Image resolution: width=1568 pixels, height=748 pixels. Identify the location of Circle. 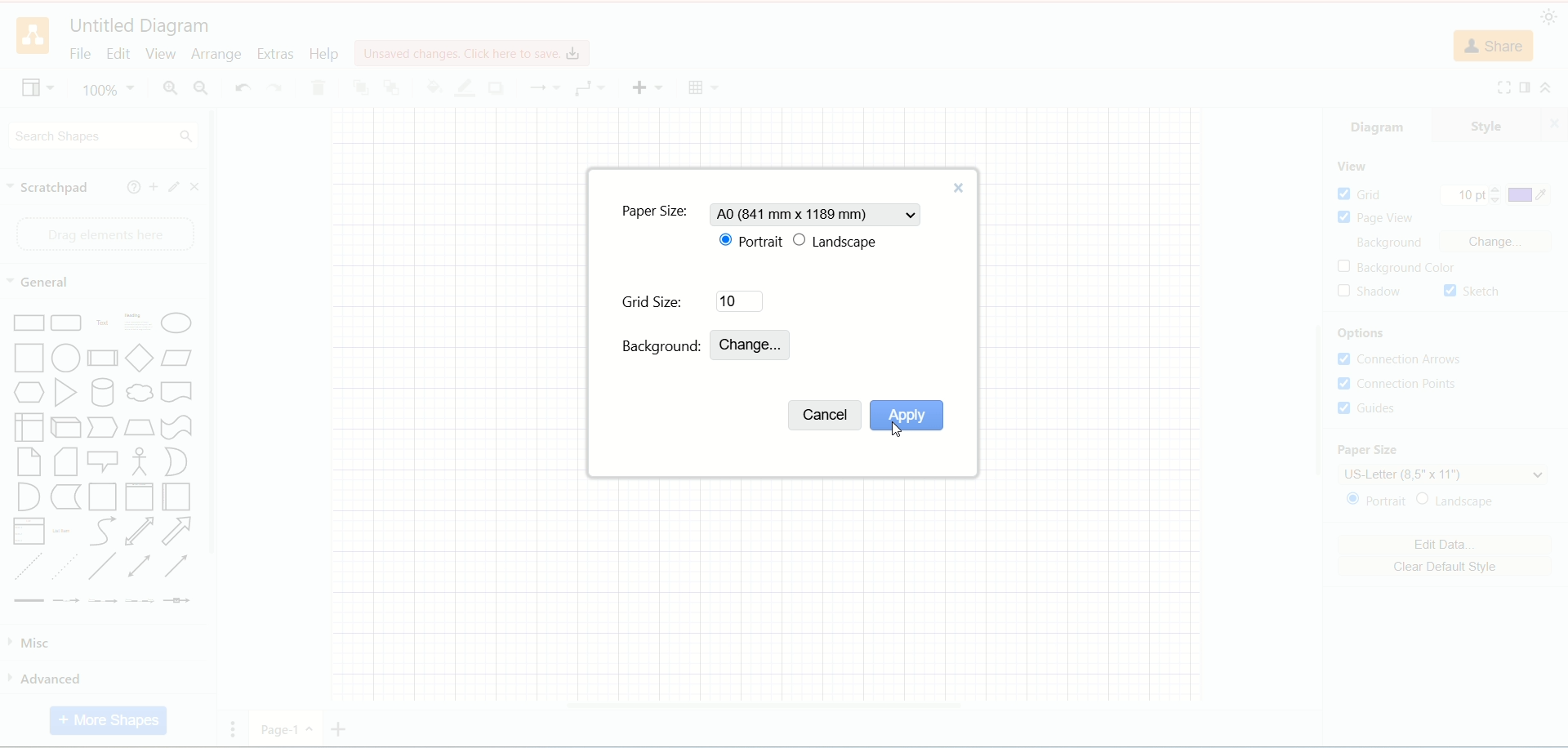
(68, 359).